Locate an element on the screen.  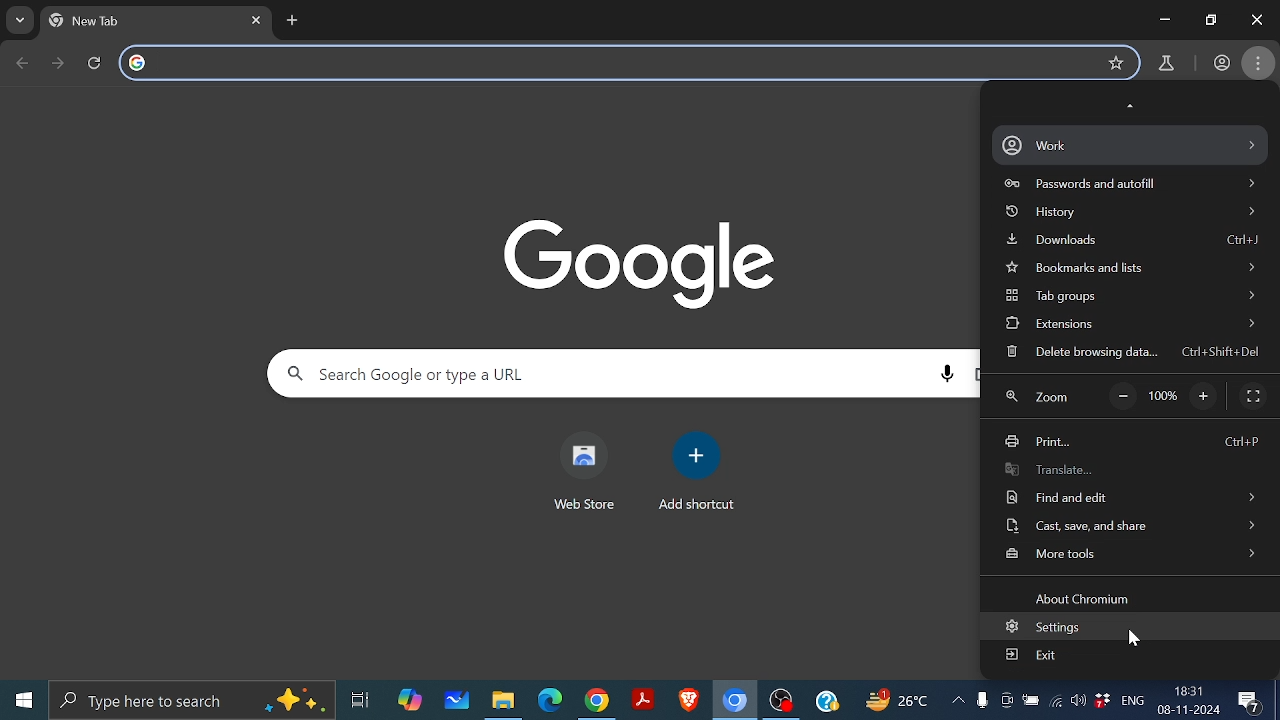
close window is located at coordinates (1256, 19).